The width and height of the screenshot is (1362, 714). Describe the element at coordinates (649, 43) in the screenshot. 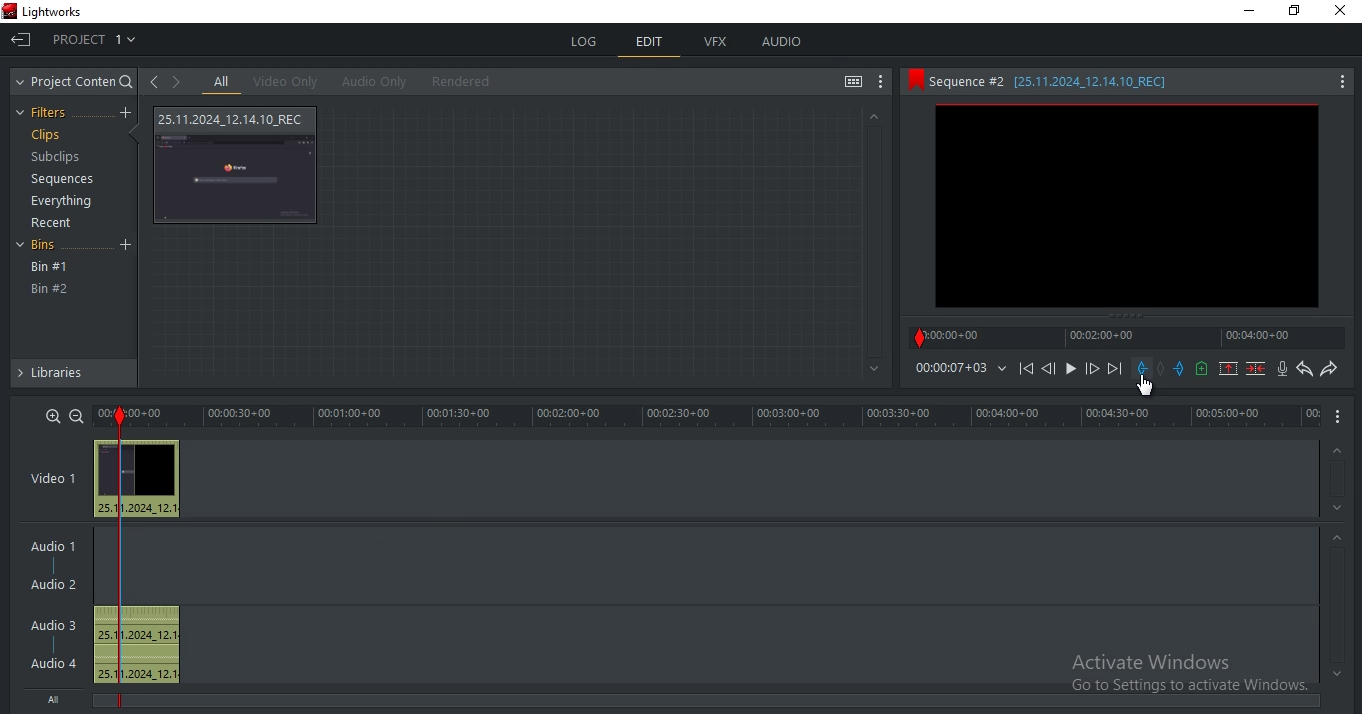

I see `edit` at that location.